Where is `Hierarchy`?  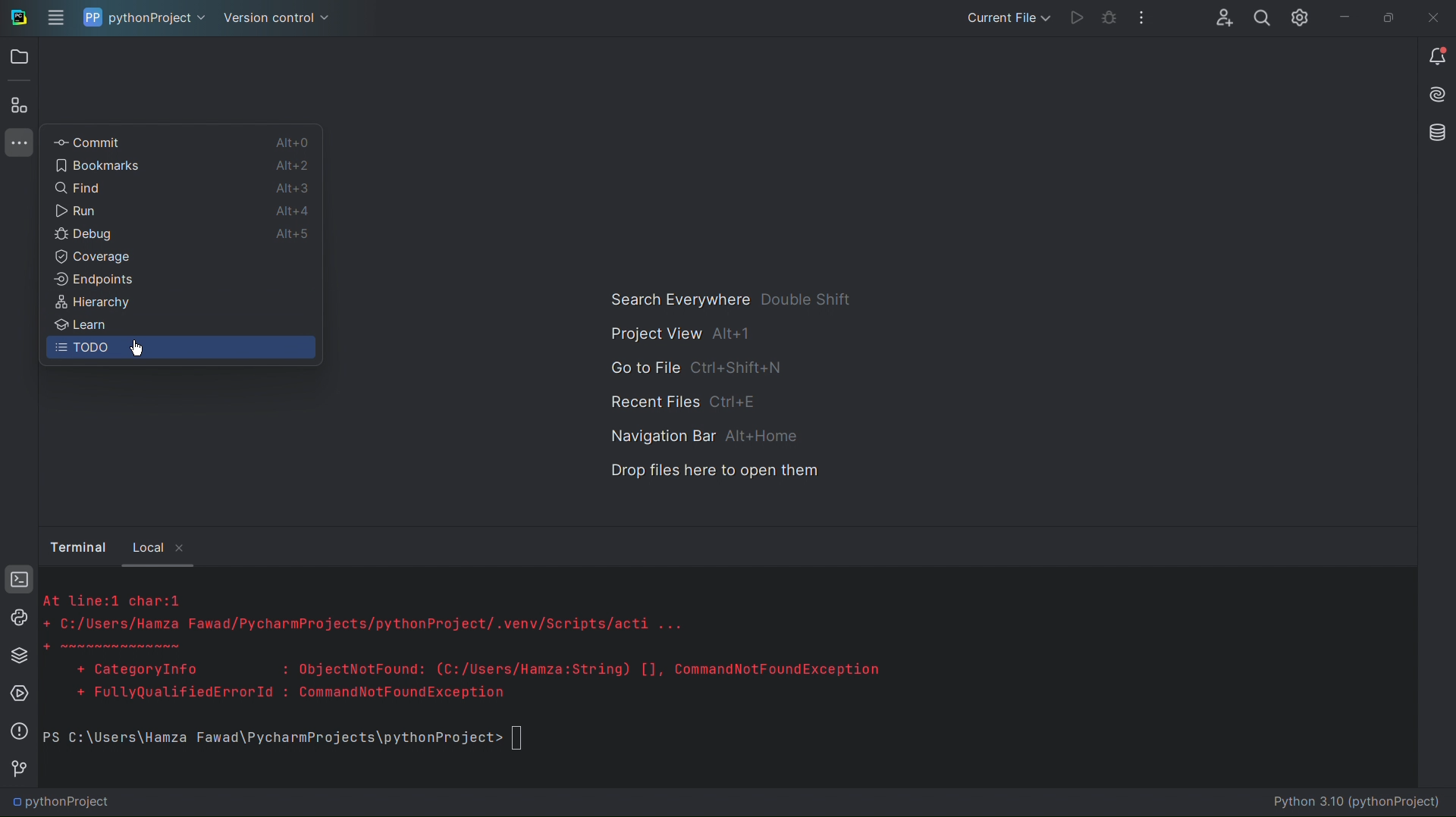
Hierarchy is located at coordinates (89, 302).